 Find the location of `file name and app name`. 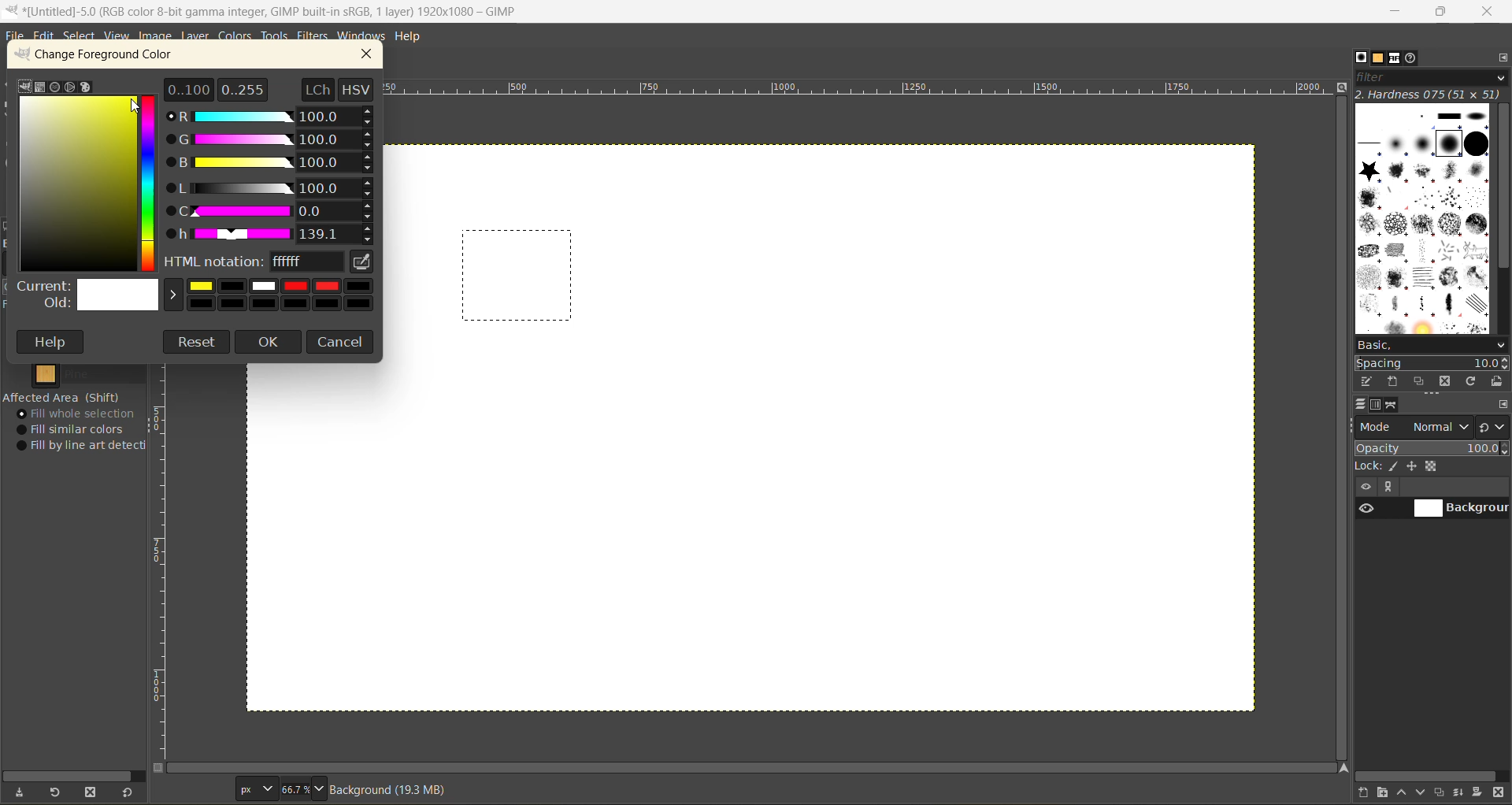

file name and app name is located at coordinates (278, 11).